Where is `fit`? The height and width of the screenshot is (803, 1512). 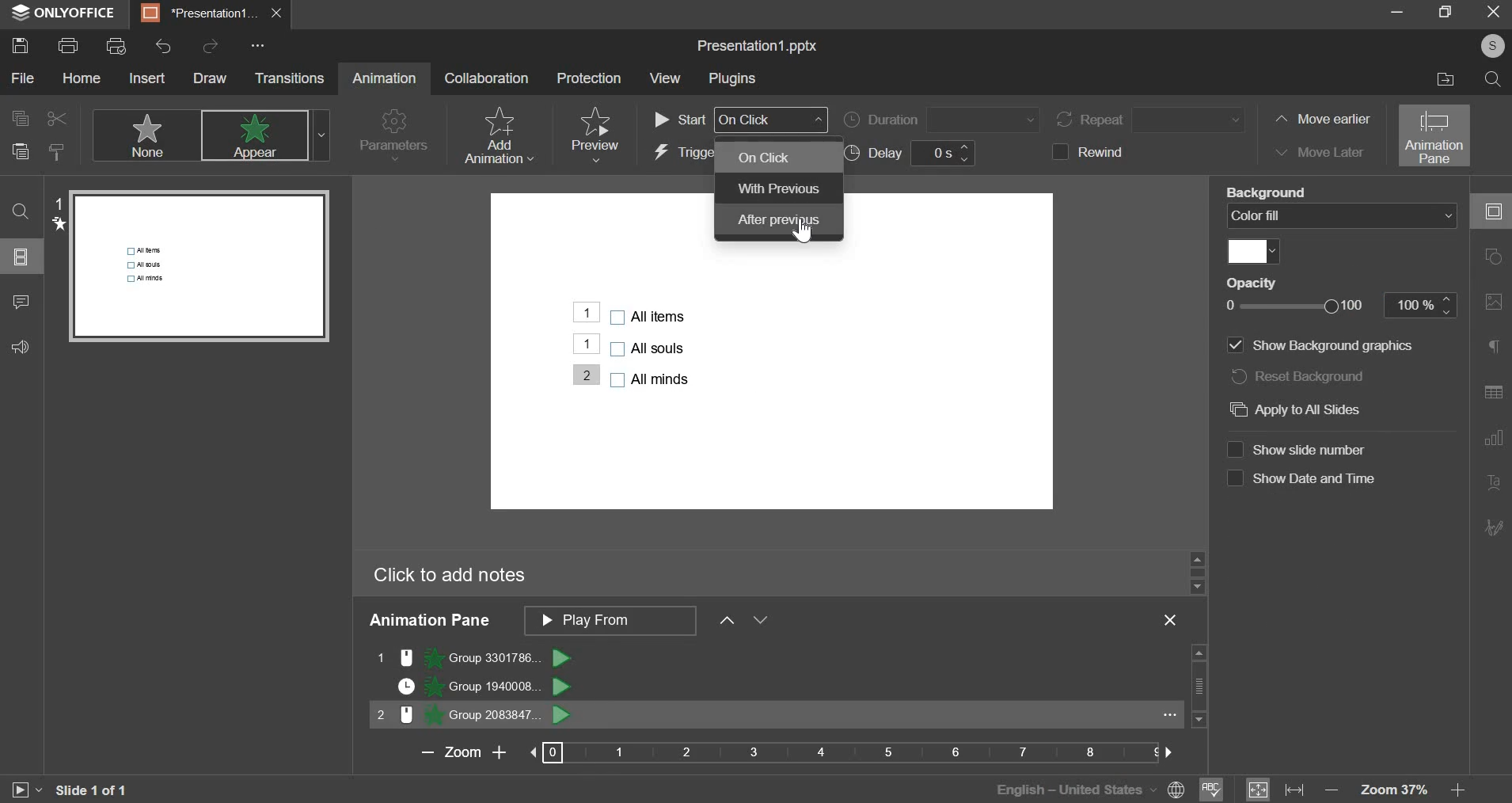 fit is located at coordinates (1275, 788).